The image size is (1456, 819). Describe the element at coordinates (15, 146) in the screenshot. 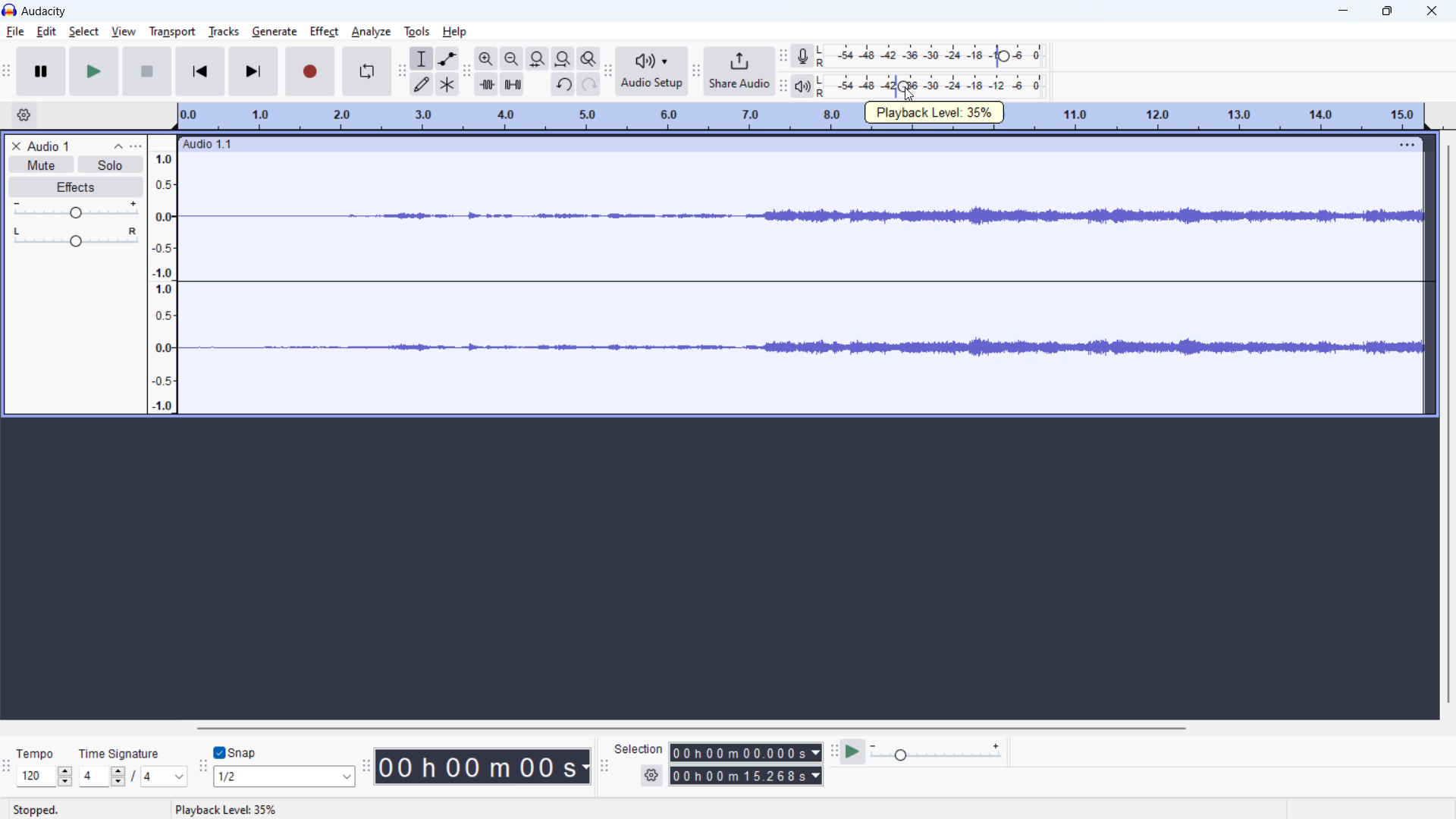

I see `delete audio` at that location.